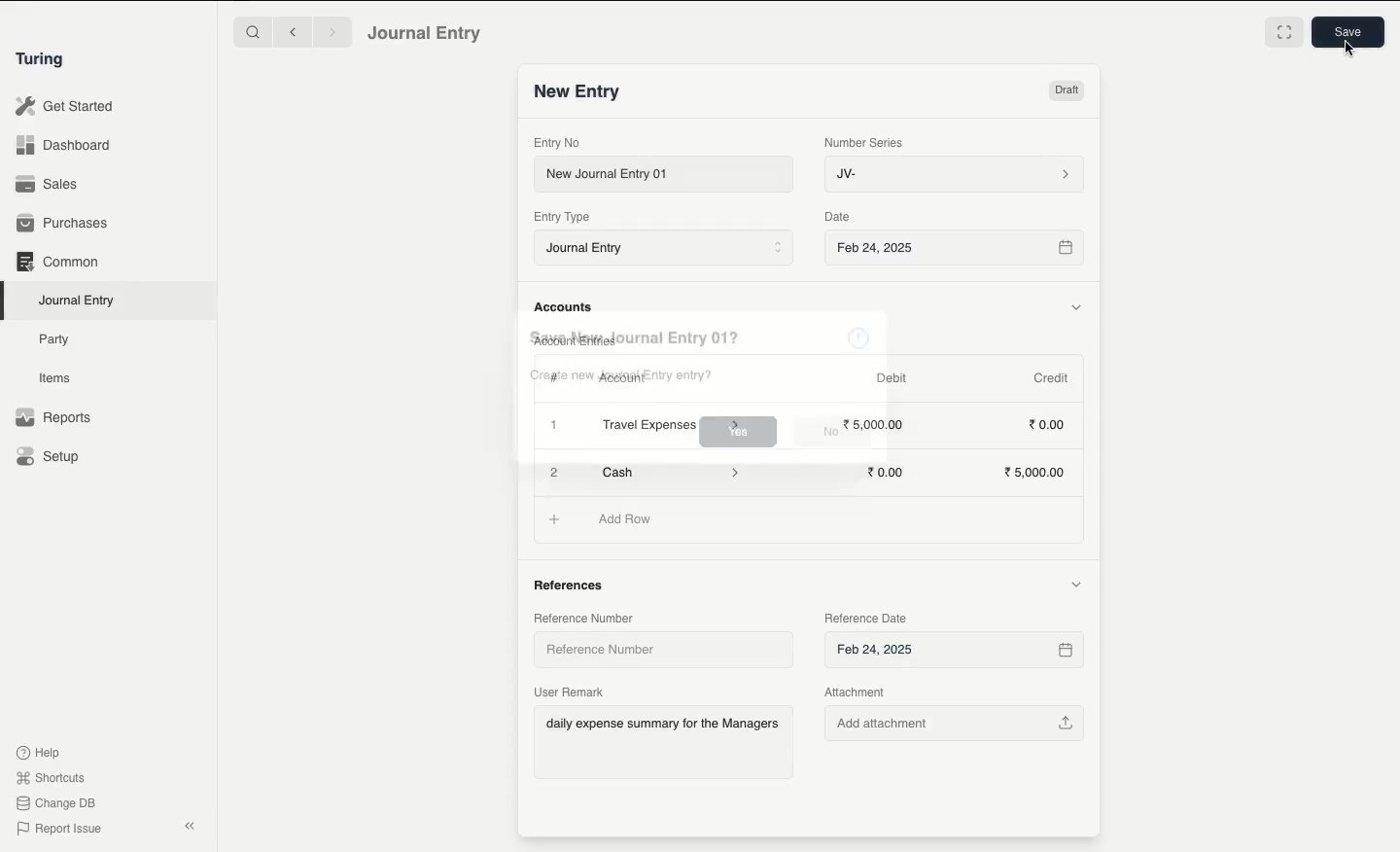 The width and height of the screenshot is (1400, 852). Describe the element at coordinates (53, 778) in the screenshot. I see `Shortcuts` at that location.